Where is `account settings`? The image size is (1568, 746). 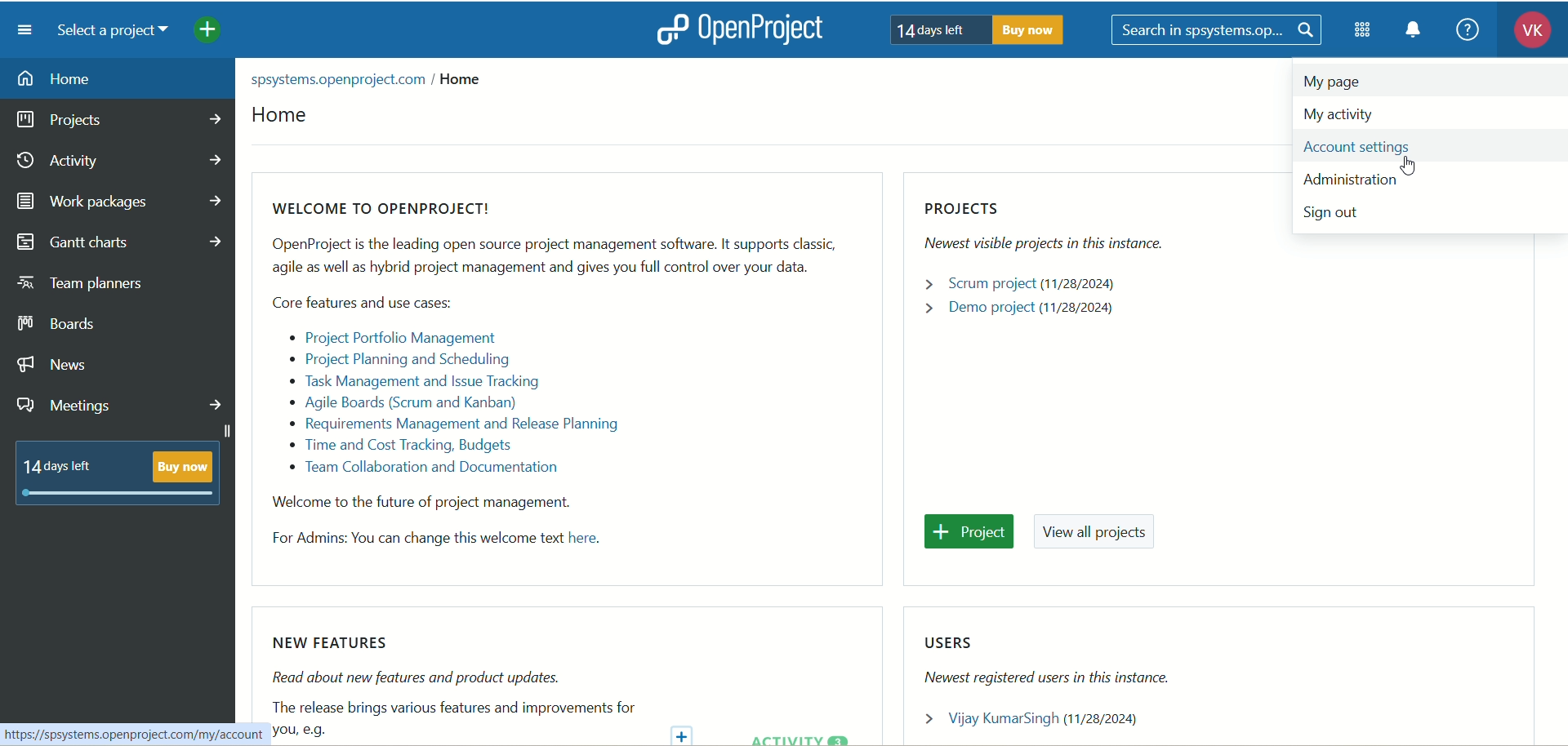
account settings is located at coordinates (1366, 146).